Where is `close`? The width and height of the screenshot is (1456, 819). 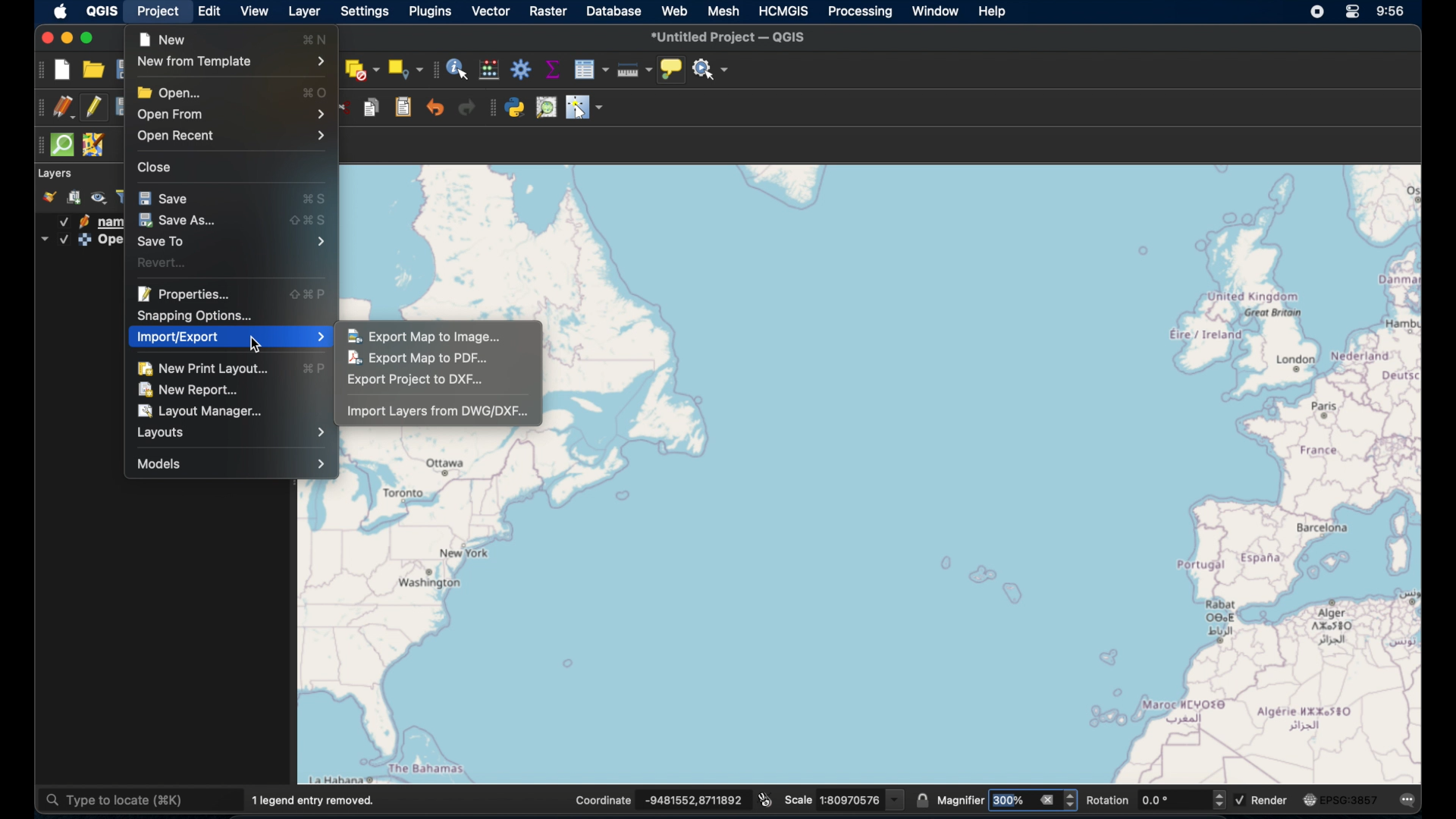
close is located at coordinates (46, 38).